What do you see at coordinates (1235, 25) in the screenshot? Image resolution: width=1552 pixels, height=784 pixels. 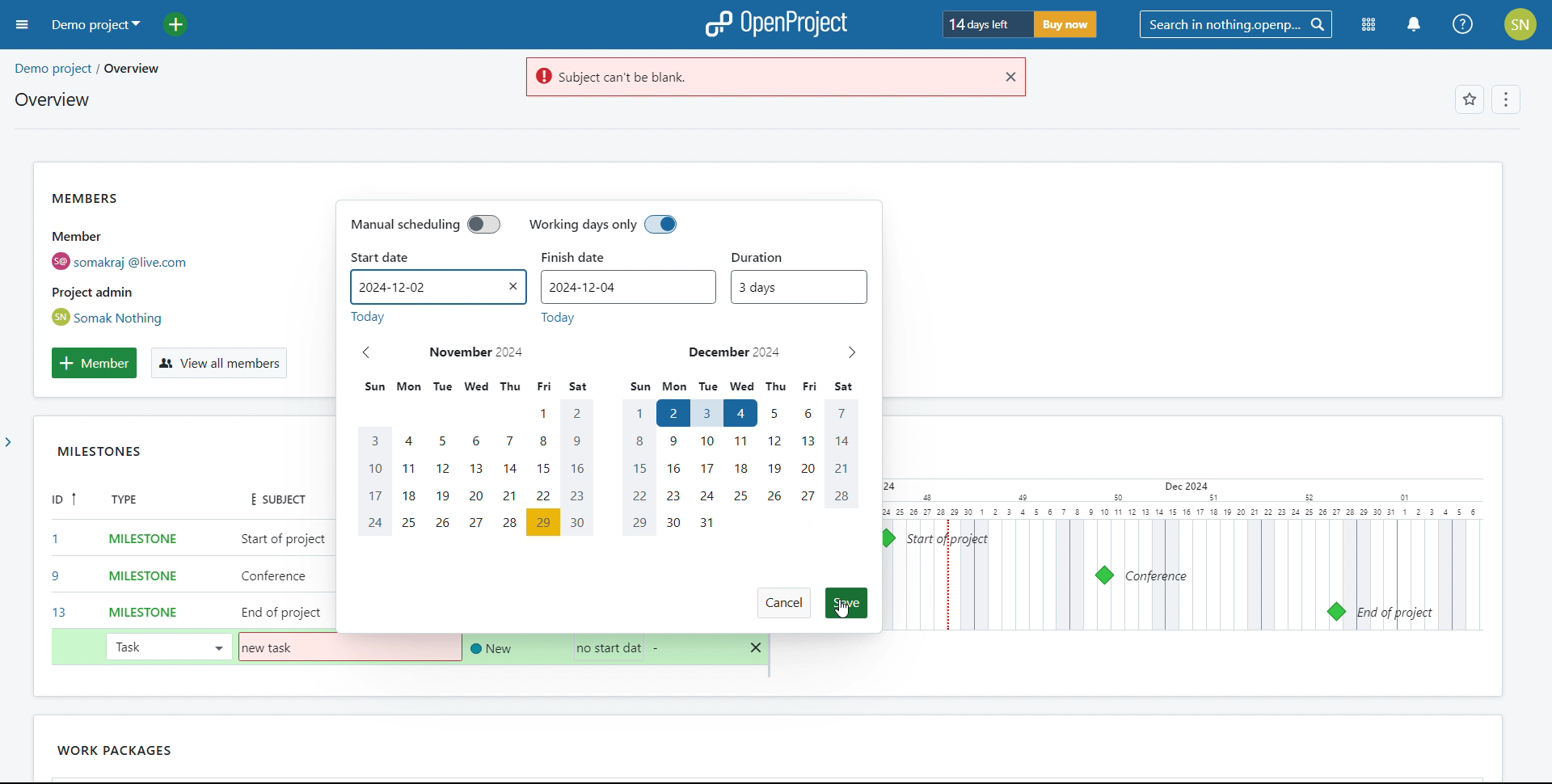 I see `search` at bounding box center [1235, 25].